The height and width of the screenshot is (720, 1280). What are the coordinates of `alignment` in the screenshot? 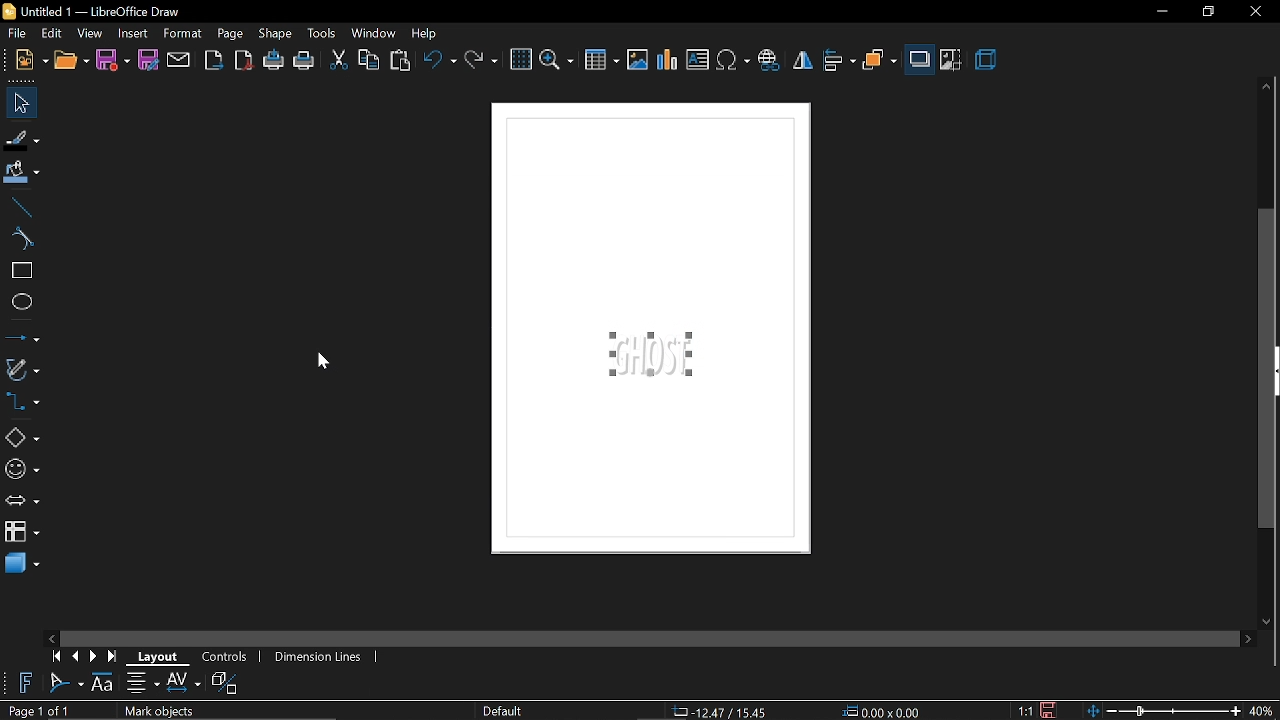 It's located at (142, 686).